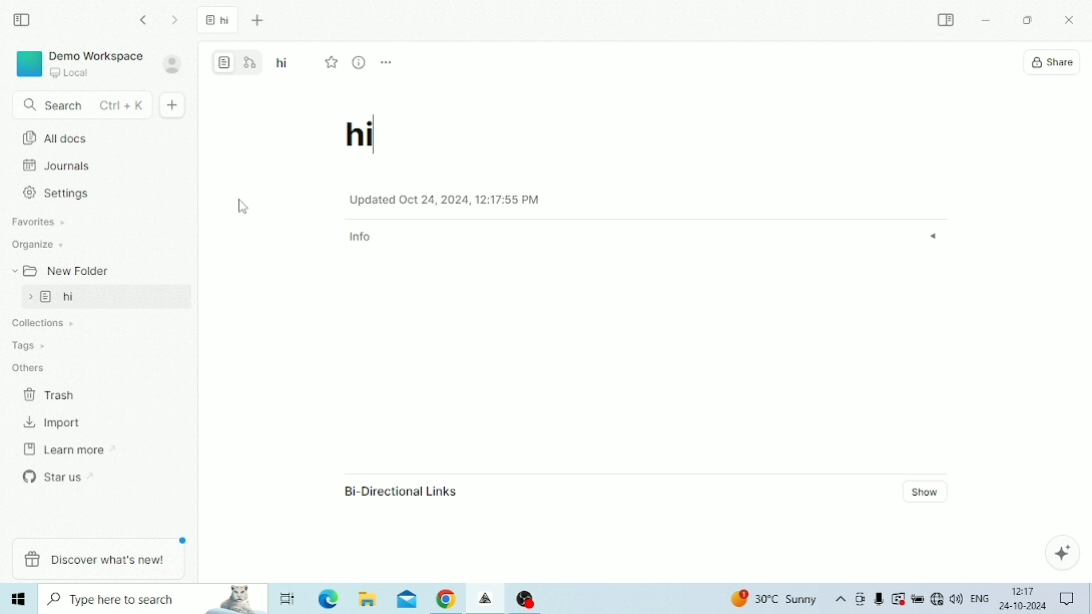 The image size is (1092, 614). Describe the element at coordinates (54, 423) in the screenshot. I see `Import` at that location.